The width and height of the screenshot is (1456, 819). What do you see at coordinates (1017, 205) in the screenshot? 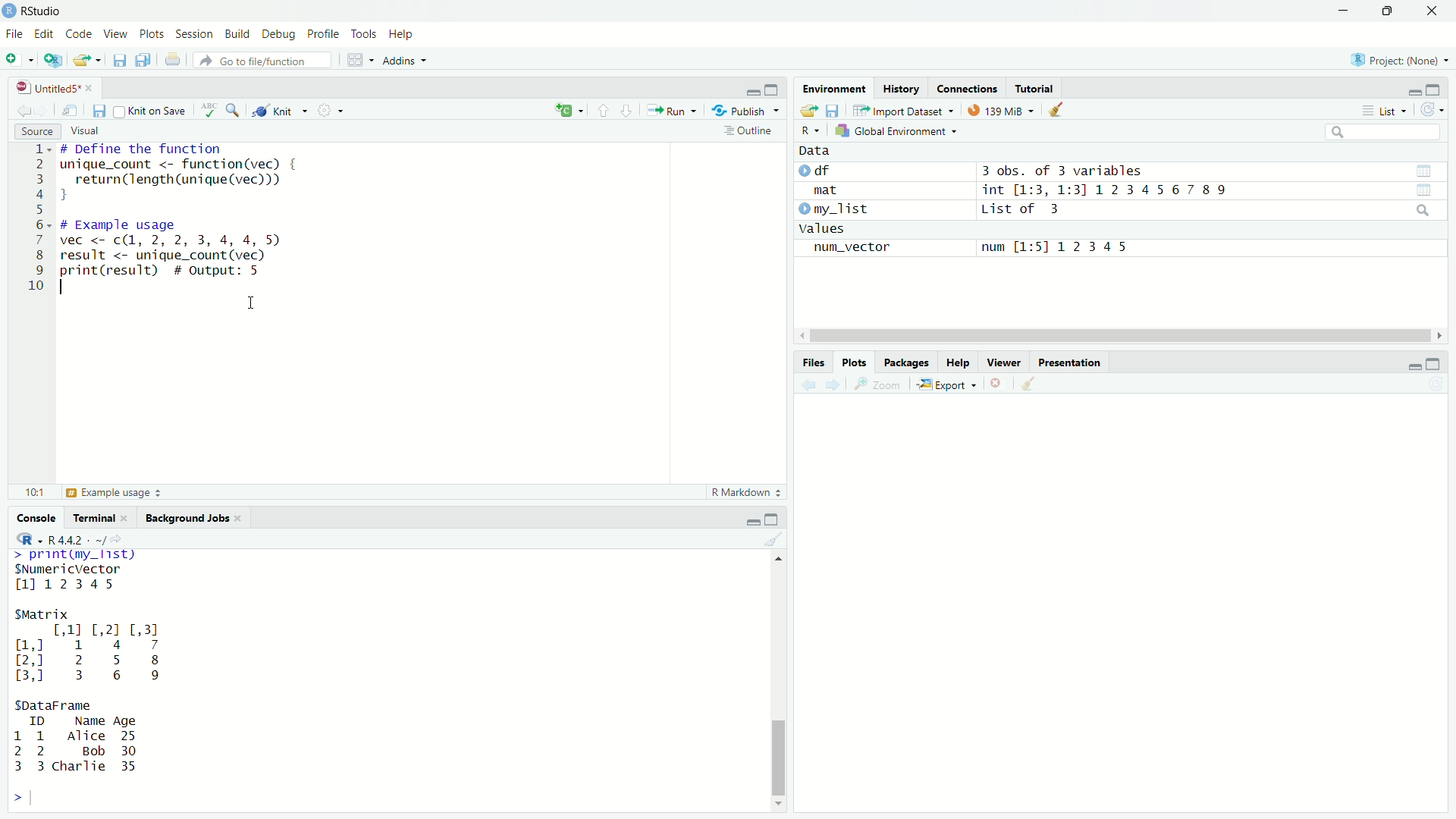
I see `Data df 3 obs. of 3 variablesmat int [1:3, 1:31 1234567 89 my_list List of 3valuesnum_vector num [1:51 12345` at bounding box center [1017, 205].